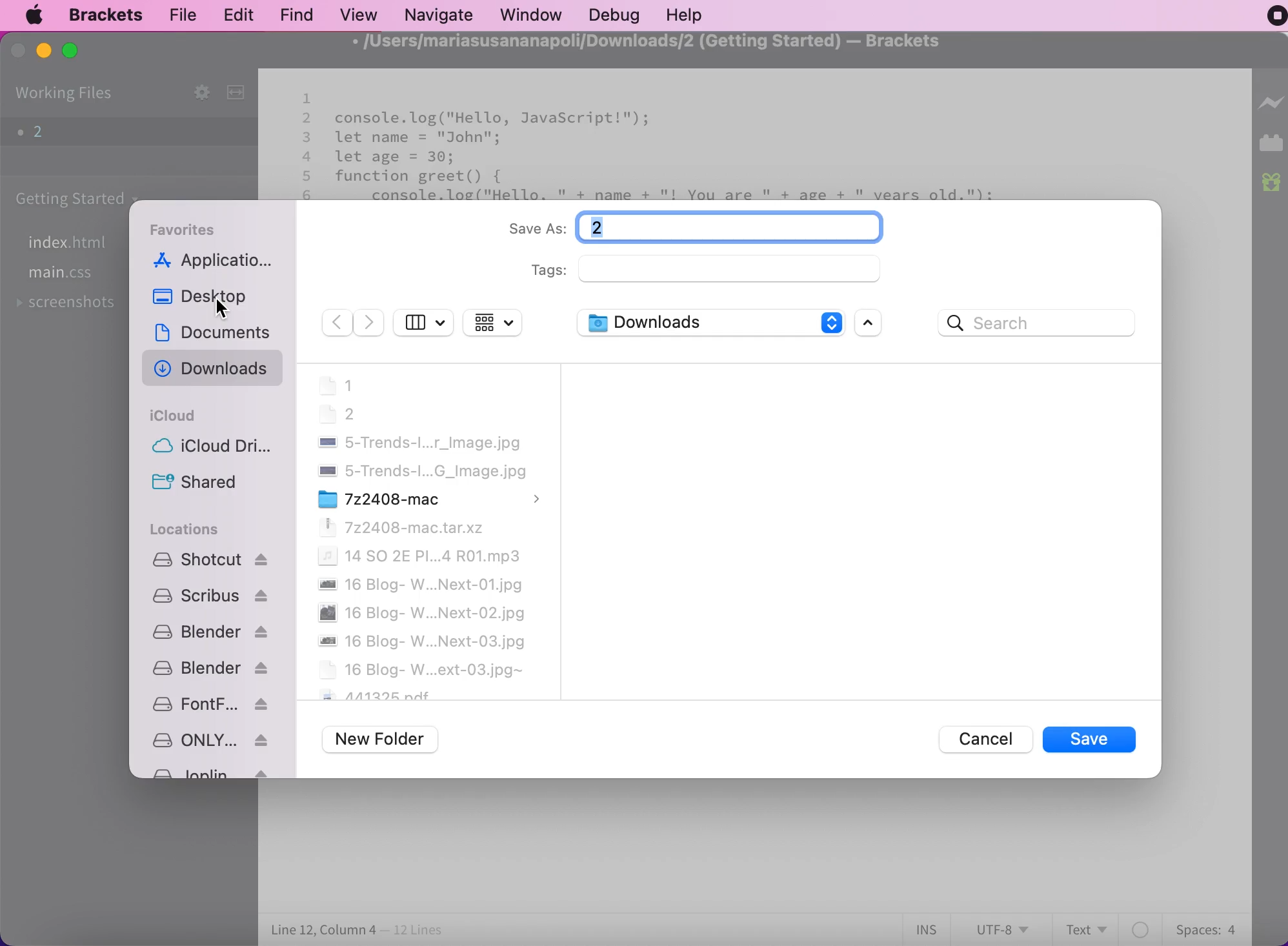 The image size is (1288, 946). What do you see at coordinates (536, 230) in the screenshot?
I see `save as:` at bounding box center [536, 230].